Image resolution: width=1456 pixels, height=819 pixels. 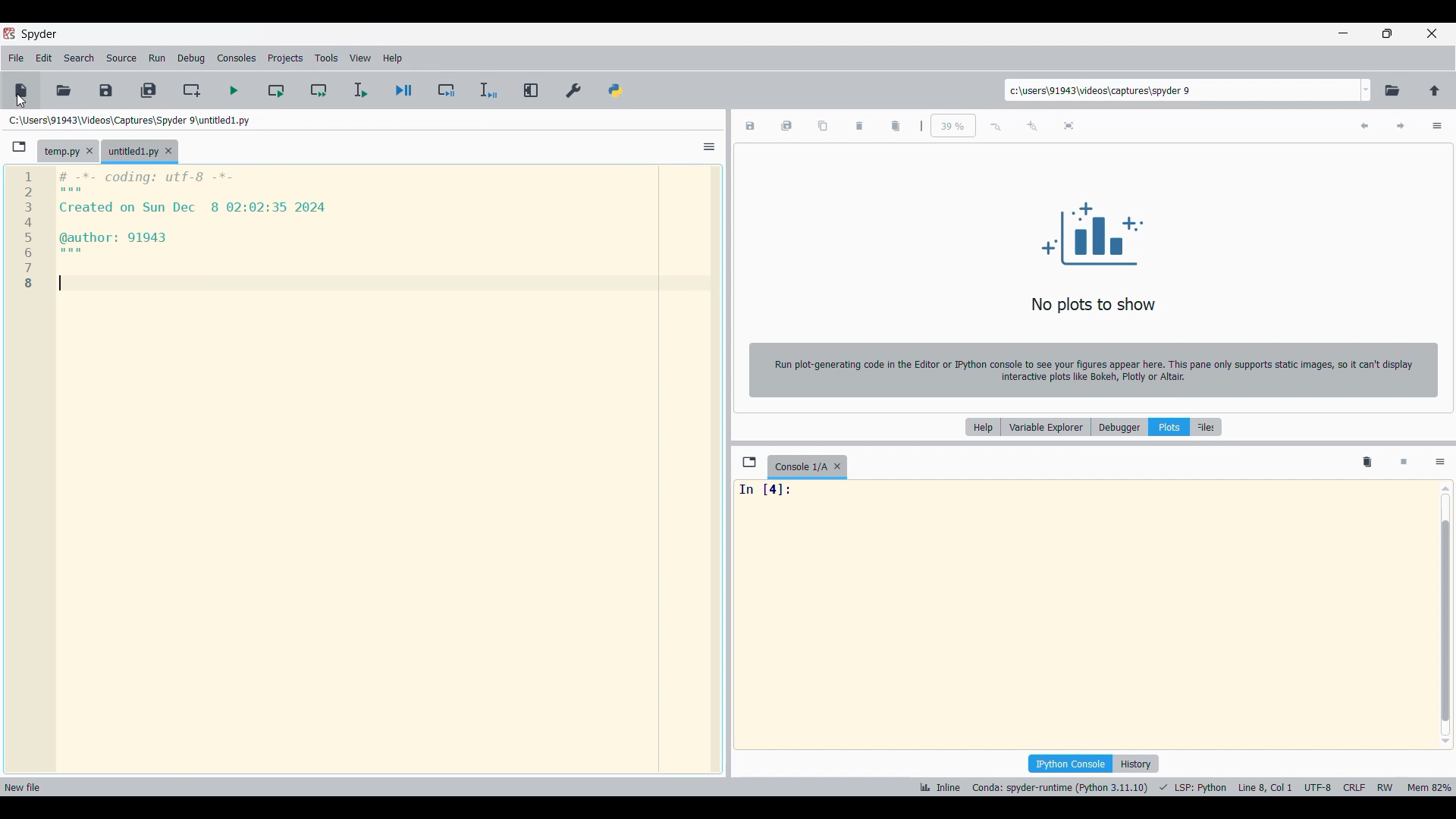 What do you see at coordinates (1070, 764) in the screenshot?
I see `IPython console` at bounding box center [1070, 764].